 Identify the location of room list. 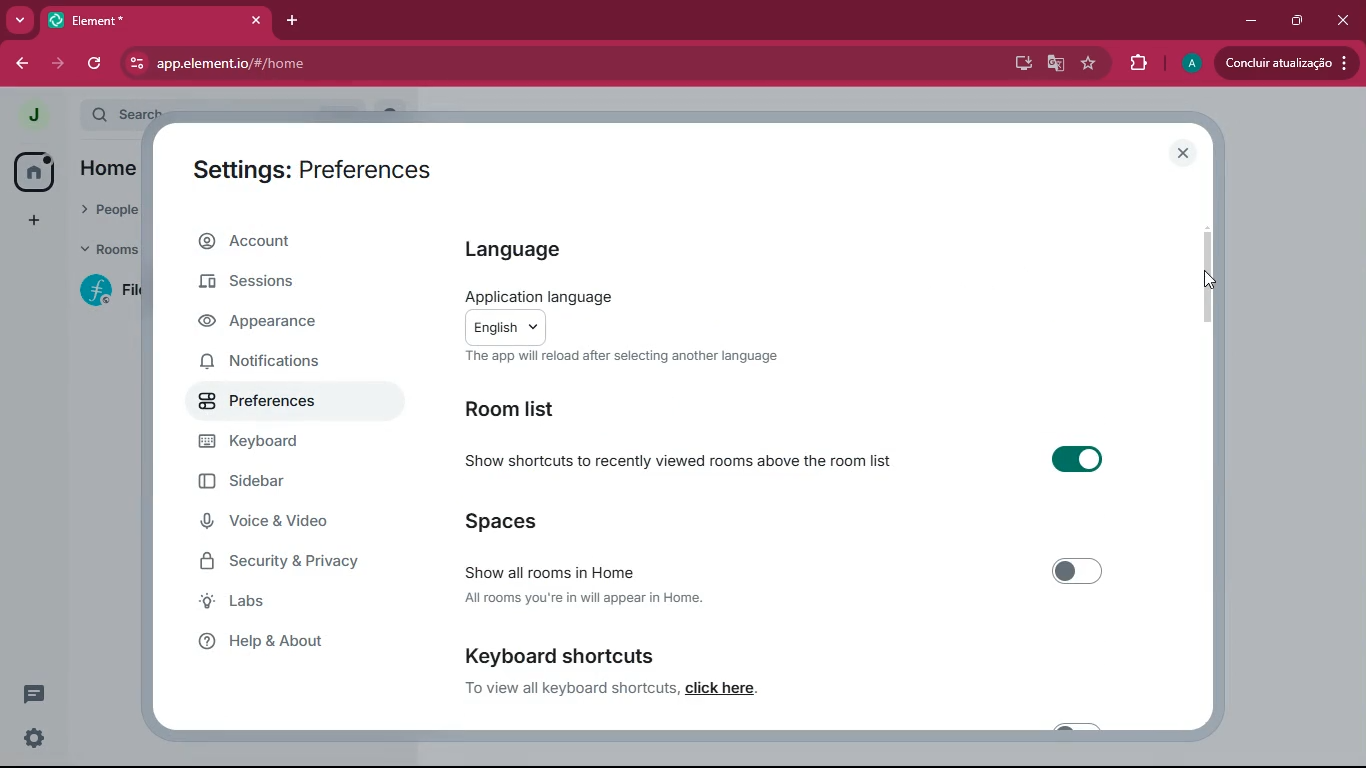
(523, 409).